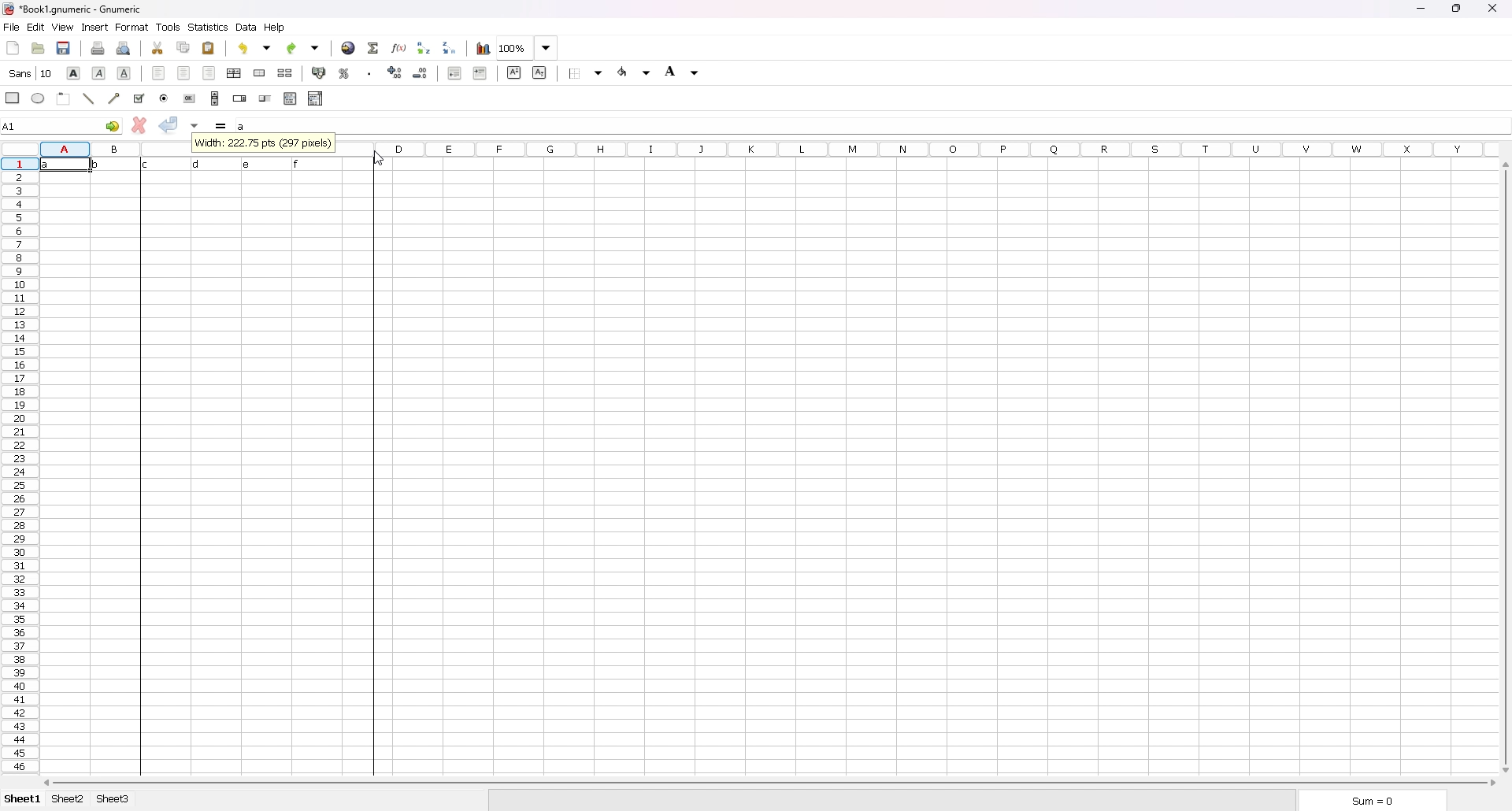  Describe the element at coordinates (871, 125) in the screenshot. I see `cell input` at that location.